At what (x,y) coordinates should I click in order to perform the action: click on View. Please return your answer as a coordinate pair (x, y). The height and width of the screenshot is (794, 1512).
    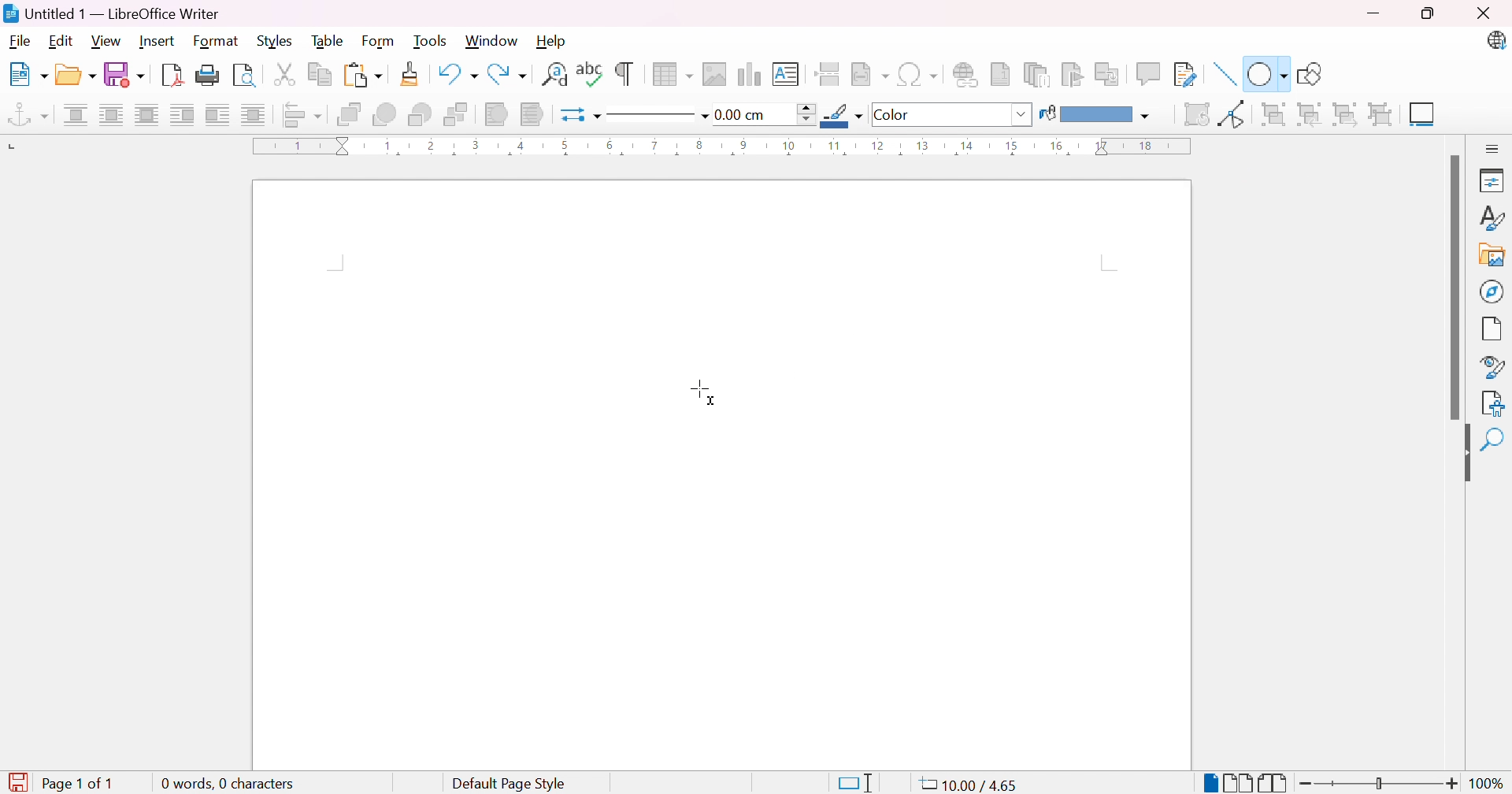
    Looking at the image, I should click on (106, 40).